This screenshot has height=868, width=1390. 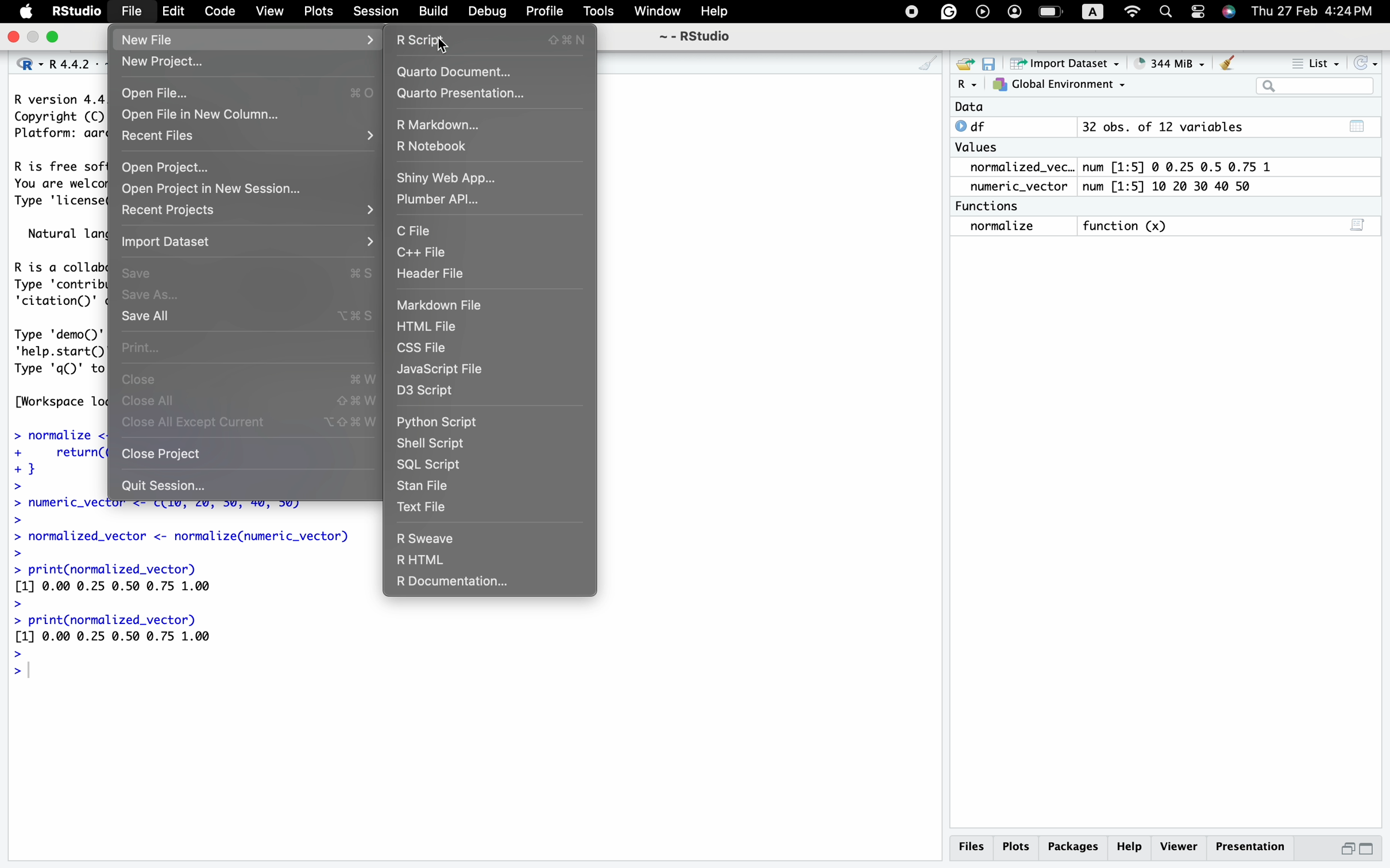 What do you see at coordinates (424, 391) in the screenshot?
I see `D3 Script` at bounding box center [424, 391].